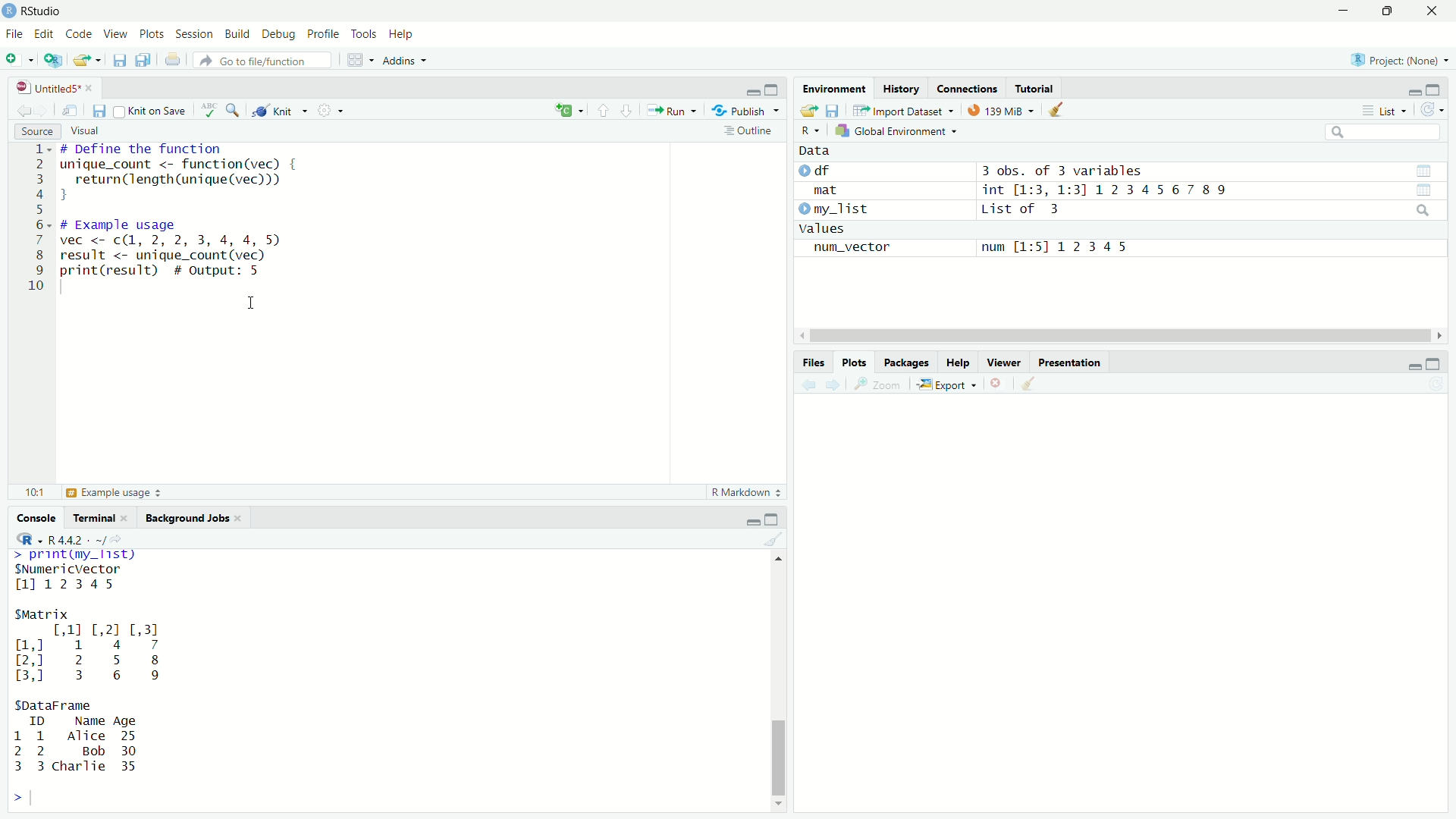  I want to click on maximize, so click(1435, 91).